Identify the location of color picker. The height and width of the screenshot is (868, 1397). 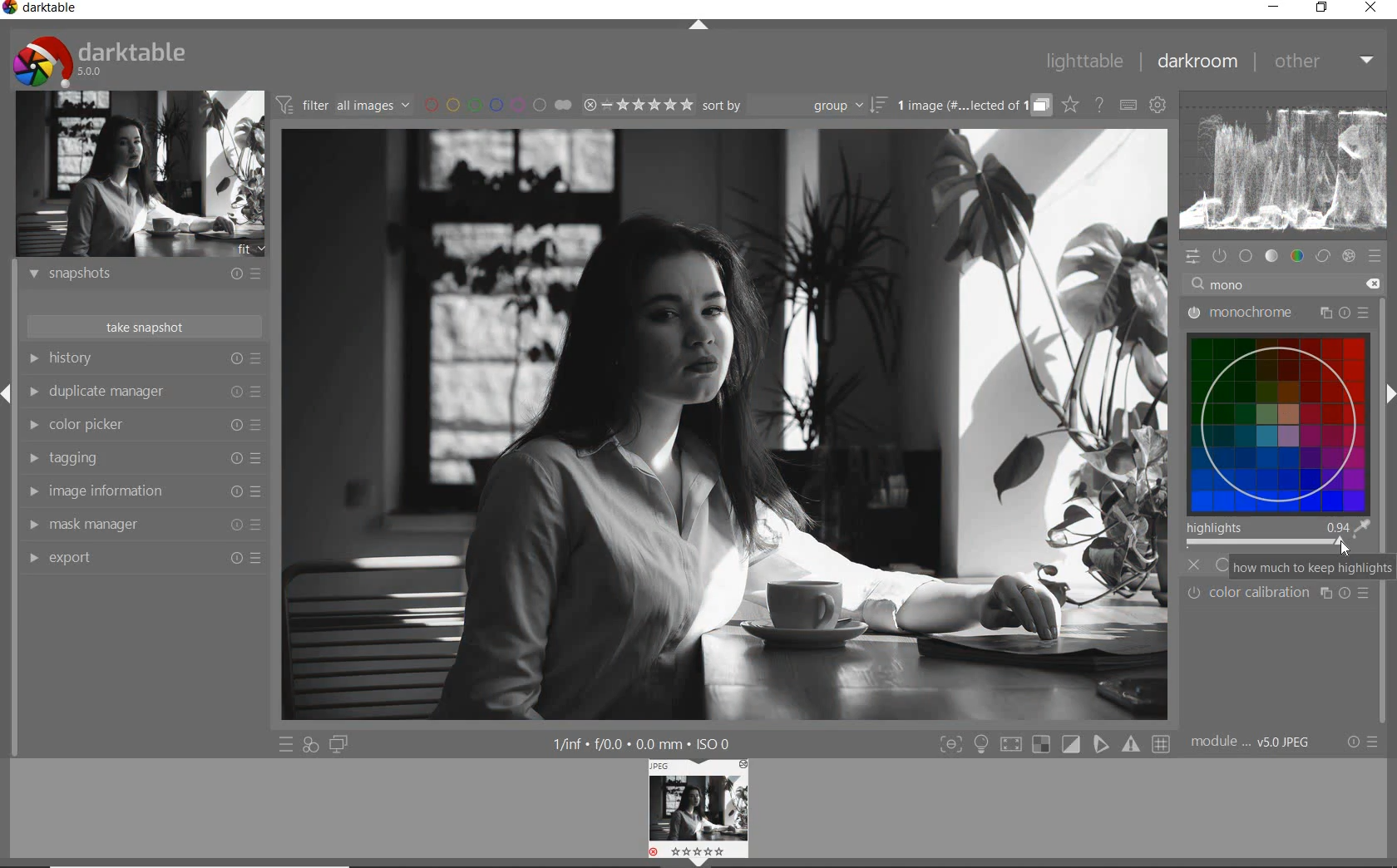
(142, 427).